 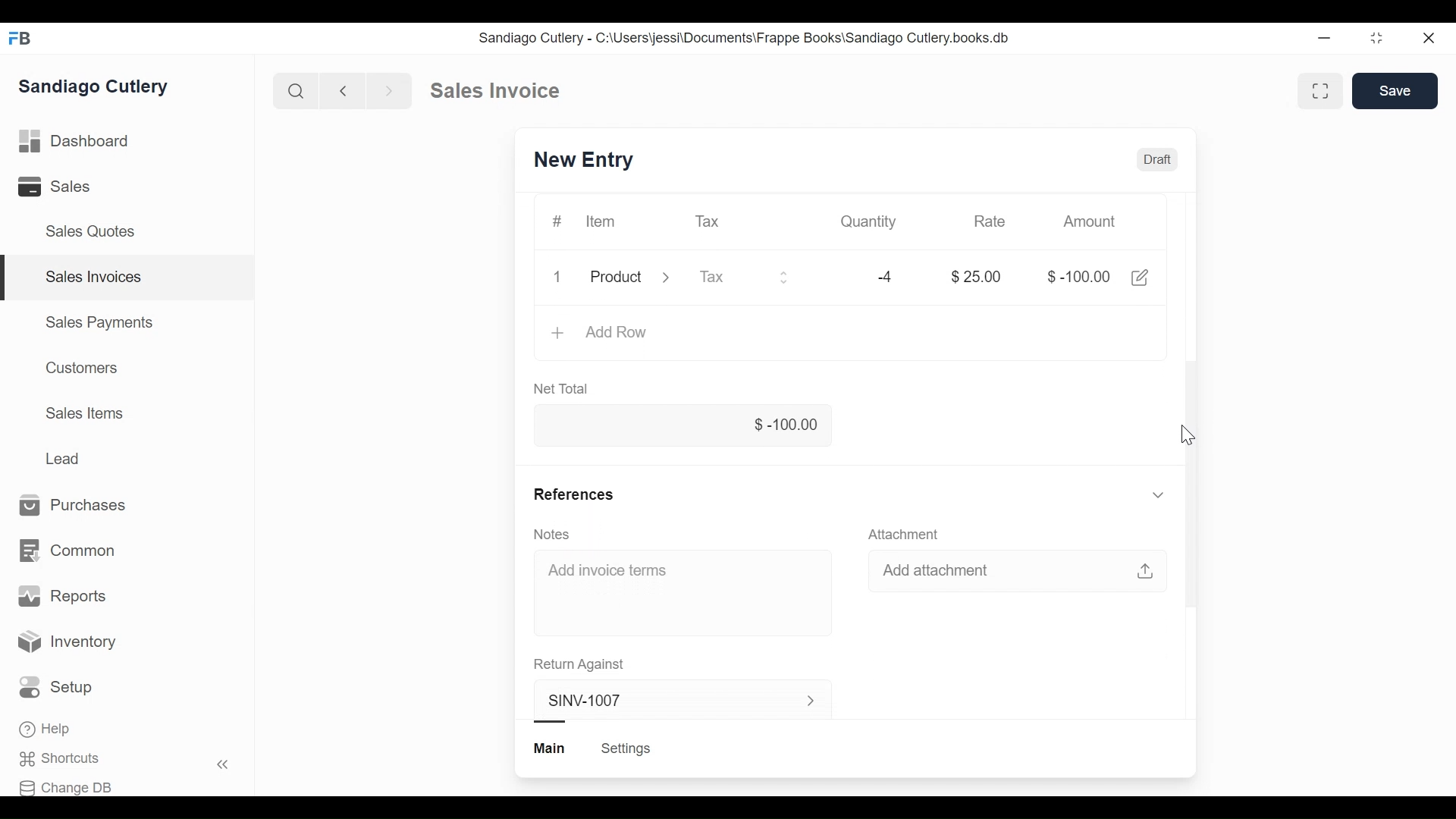 I want to click on Tax, so click(x=708, y=221).